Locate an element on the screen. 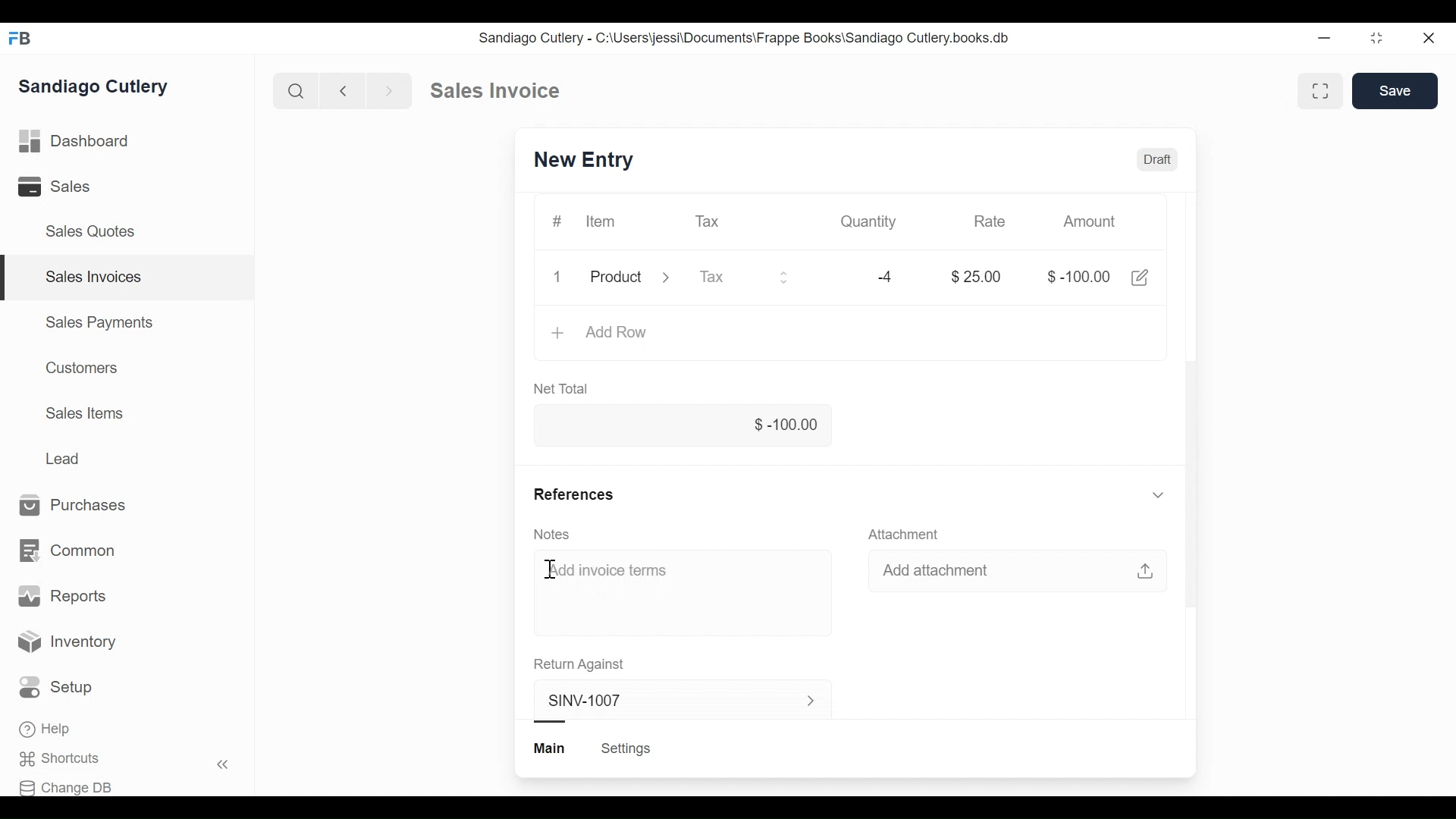 This screenshot has width=1456, height=819. Amount is located at coordinates (1089, 221).